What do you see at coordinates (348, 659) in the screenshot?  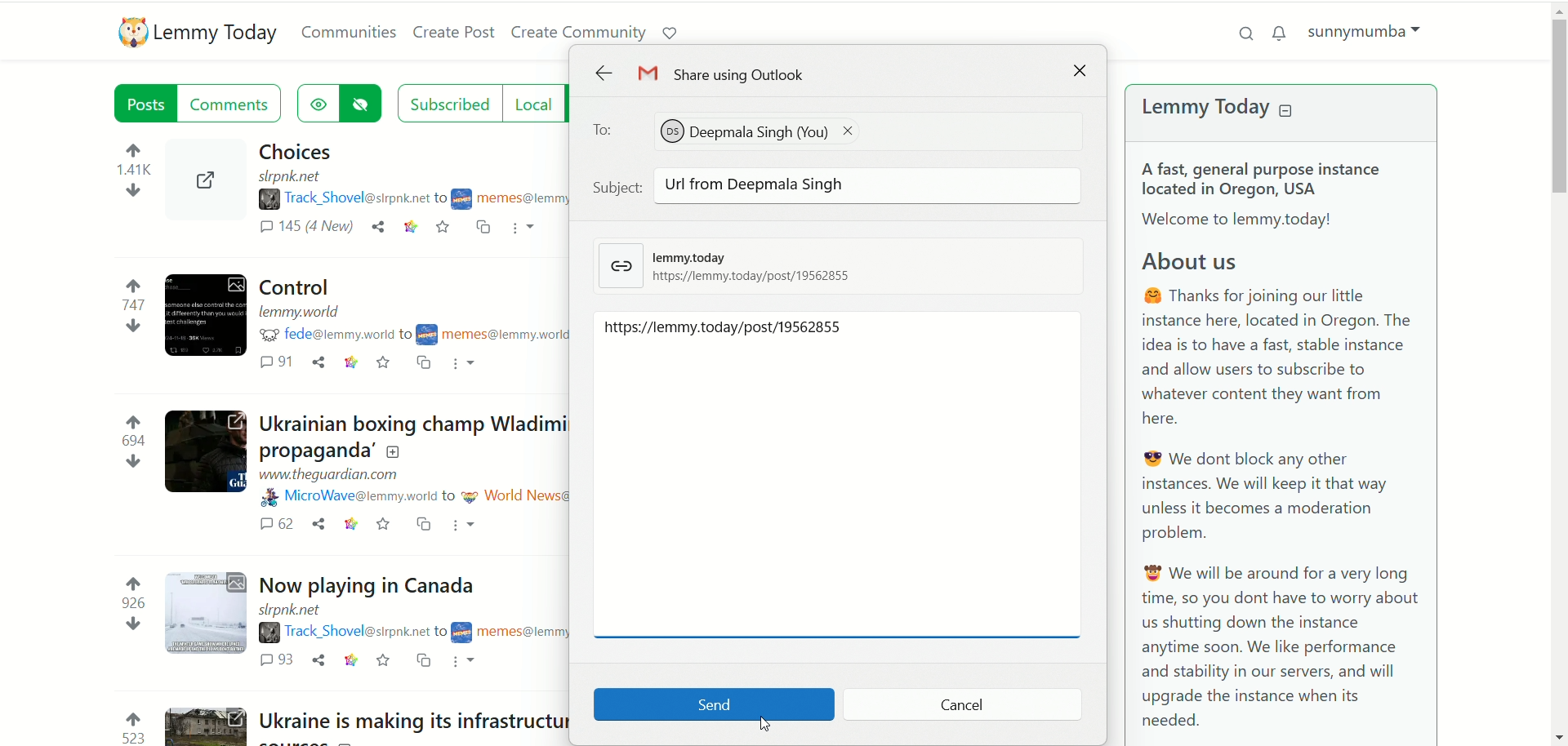 I see `link` at bounding box center [348, 659].